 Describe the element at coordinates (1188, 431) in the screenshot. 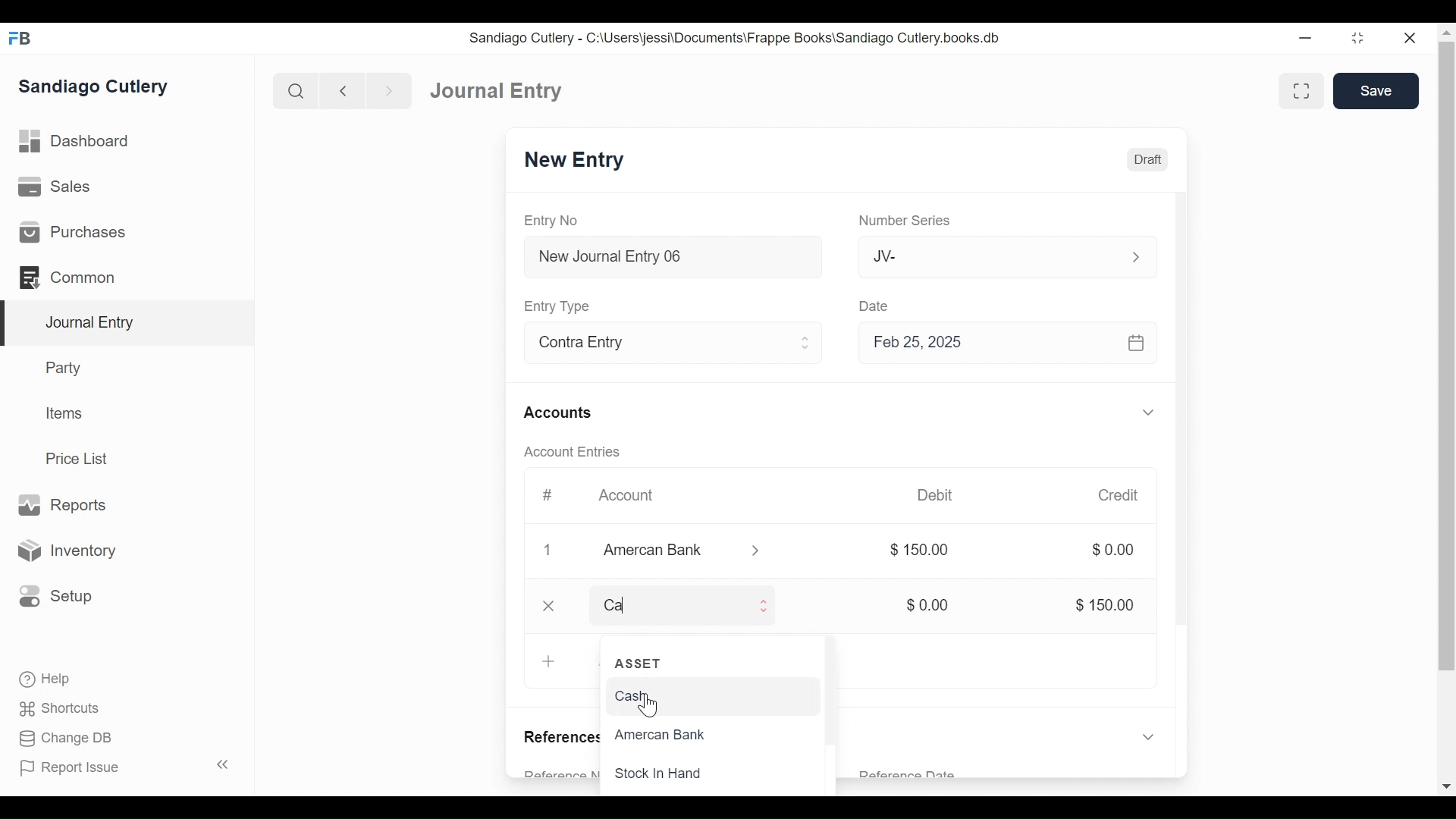

I see `Vertical Scroll bar` at that location.